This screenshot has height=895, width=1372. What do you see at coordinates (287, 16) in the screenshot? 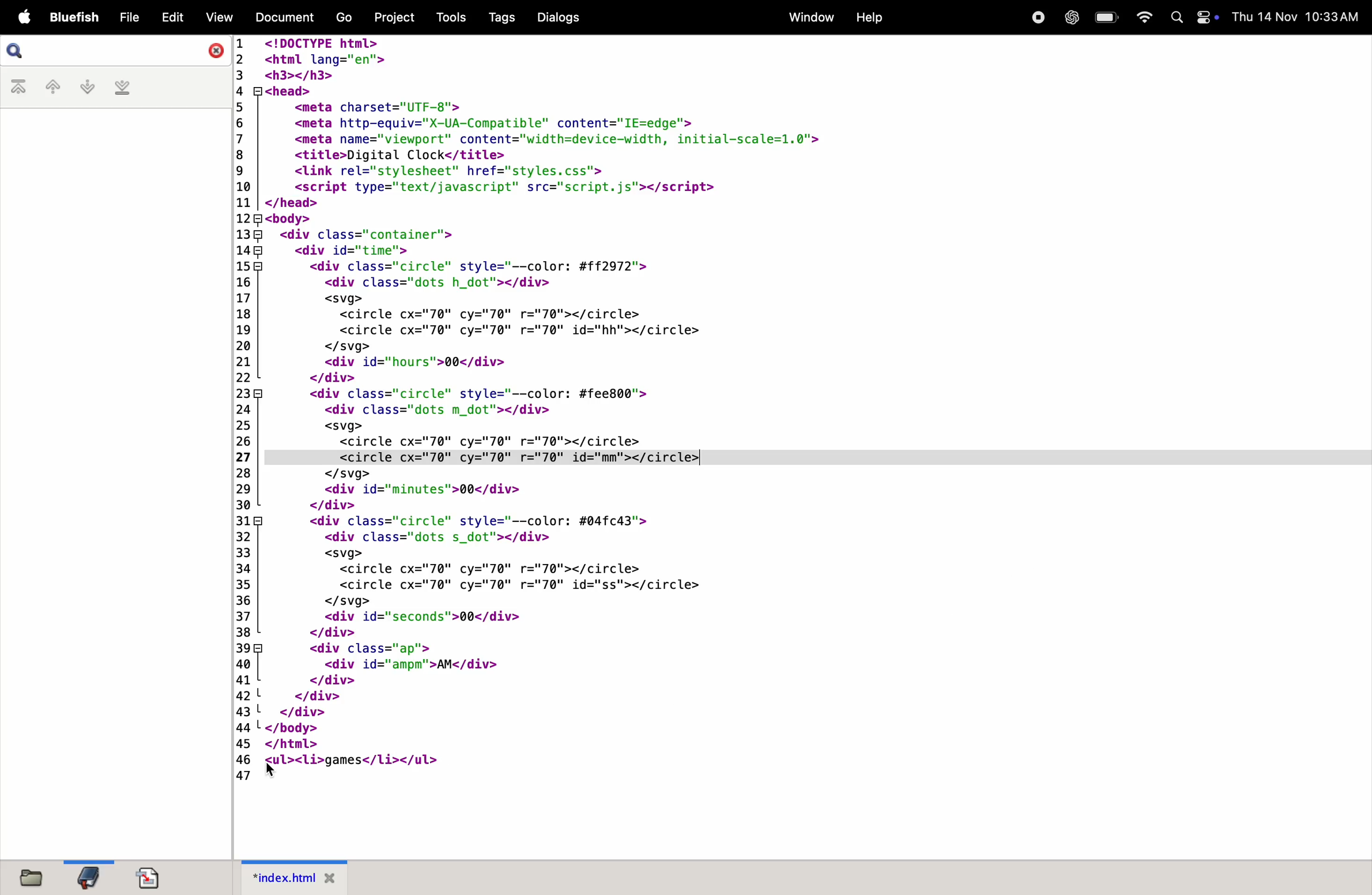
I see `Document` at bounding box center [287, 16].